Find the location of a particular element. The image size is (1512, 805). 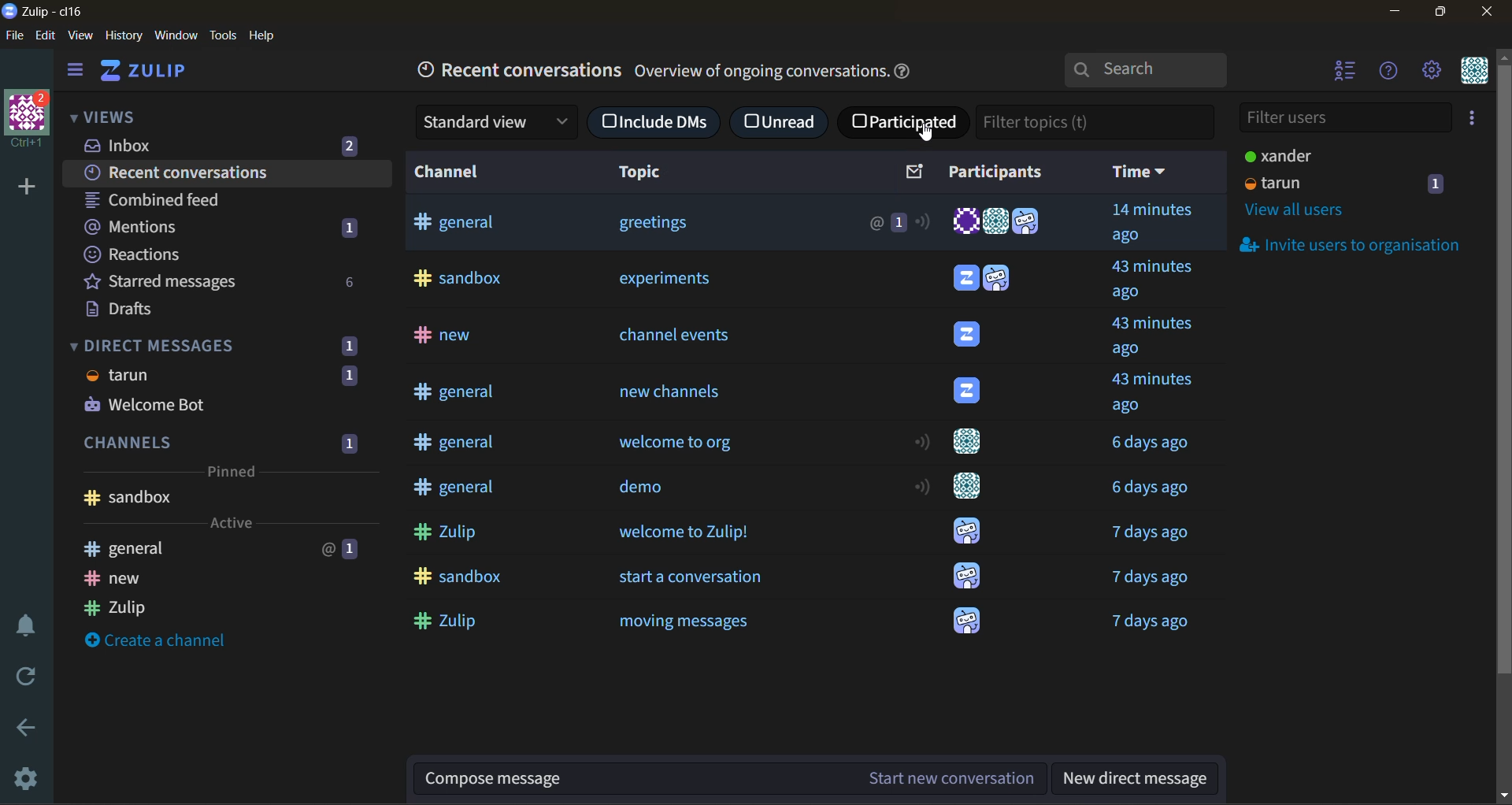

maximize is located at coordinates (1446, 13).